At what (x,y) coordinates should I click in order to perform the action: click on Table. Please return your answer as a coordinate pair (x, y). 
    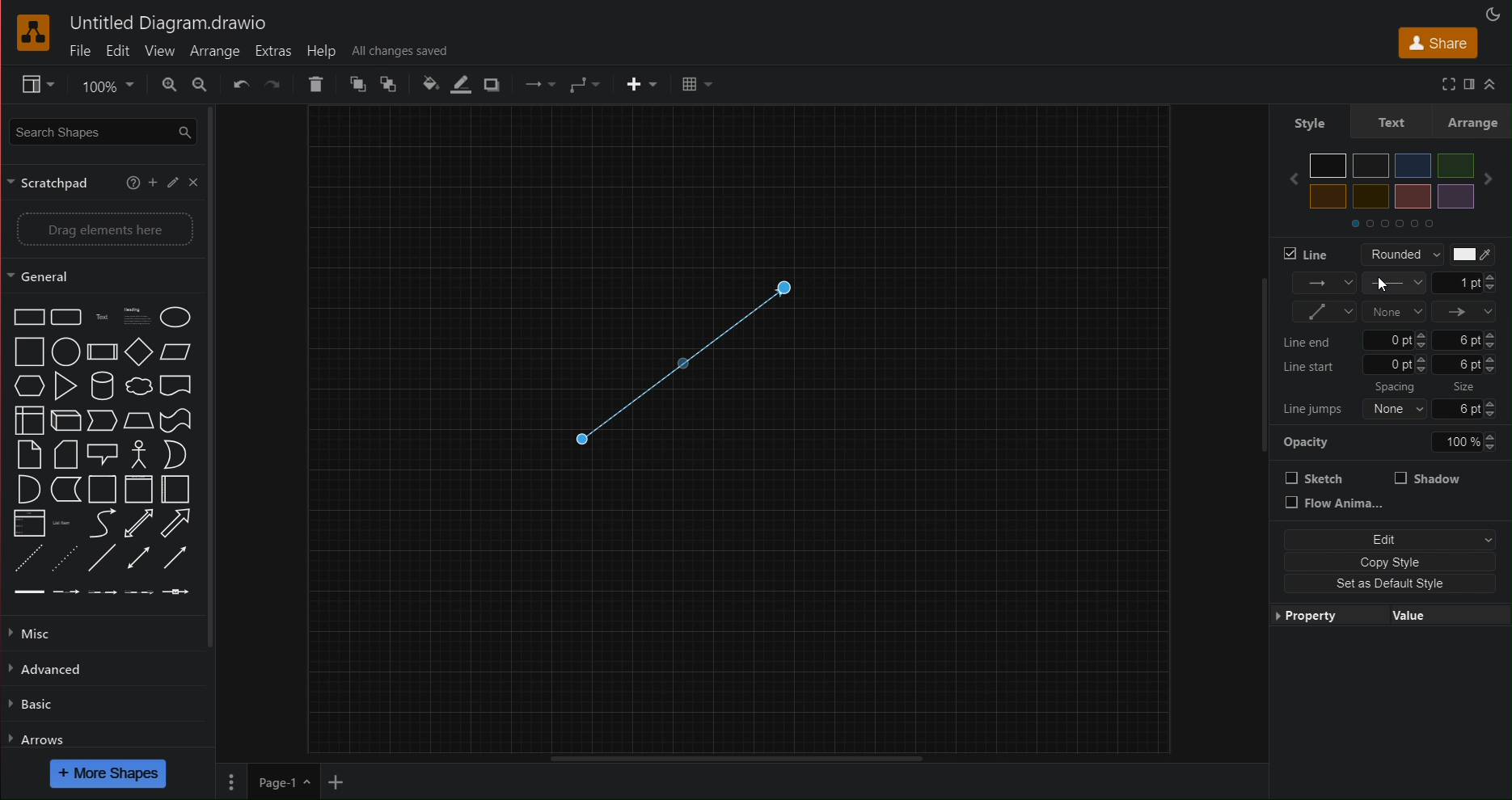
    Looking at the image, I should click on (695, 85).